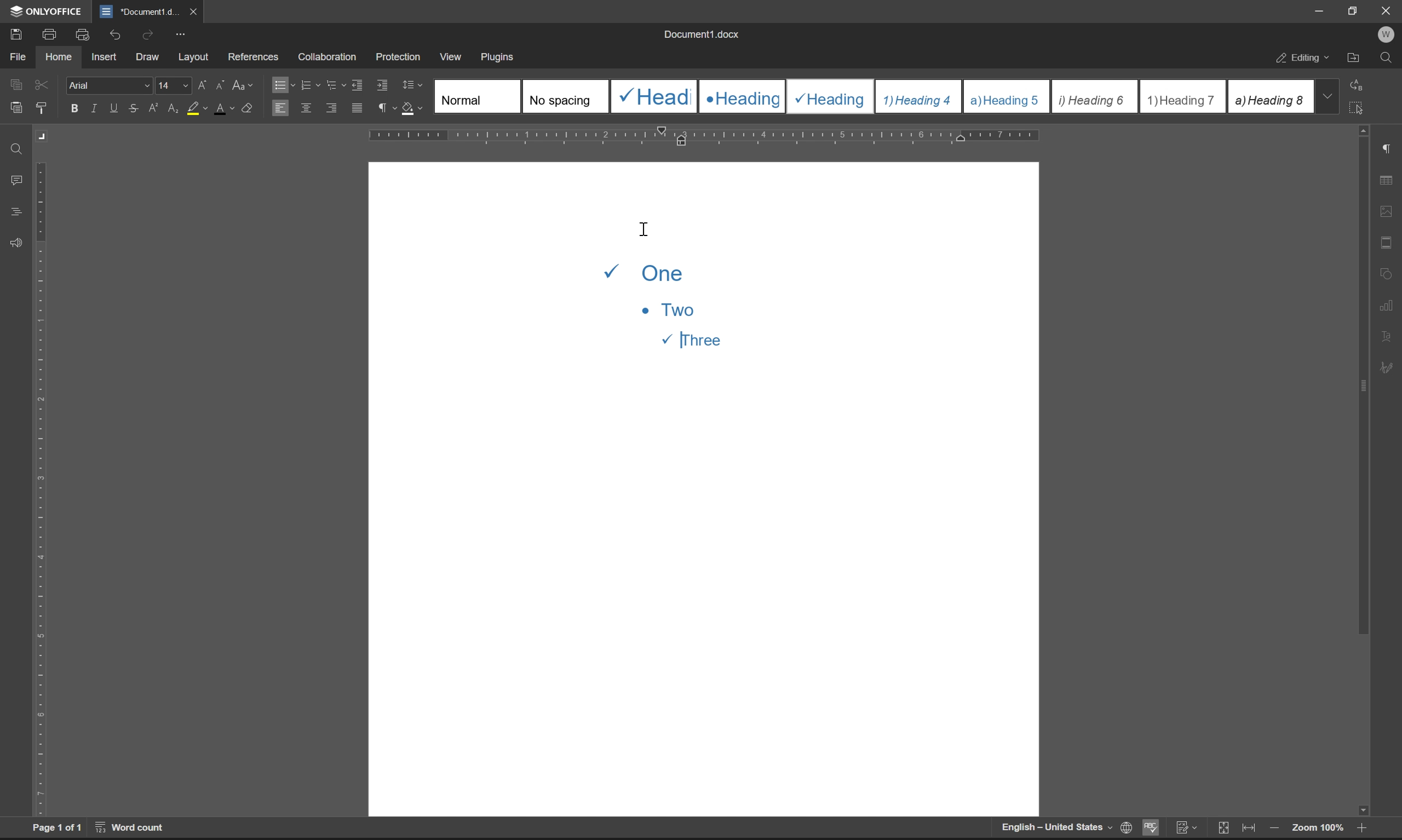 This screenshot has width=1402, height=840. I want to click on close, so click(192, 11).